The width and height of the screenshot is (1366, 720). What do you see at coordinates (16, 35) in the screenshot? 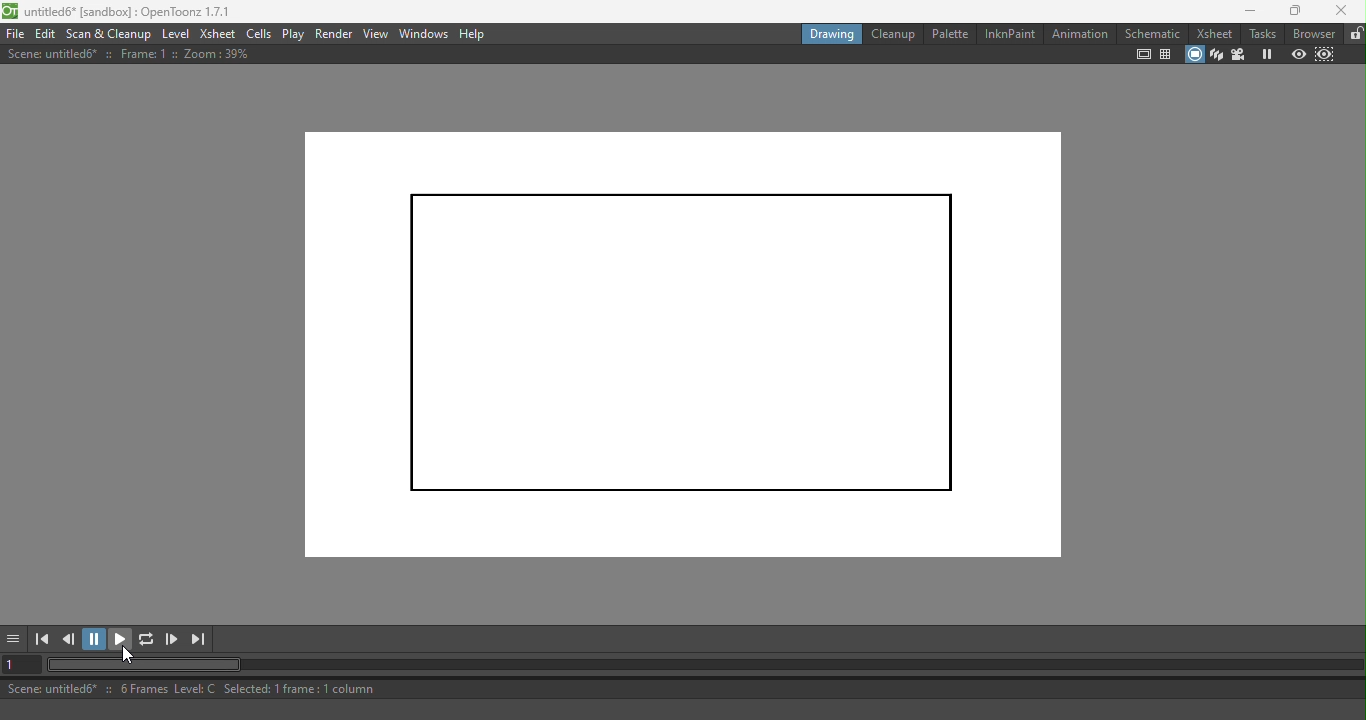
I see `File` at bounding box center [16, 35].